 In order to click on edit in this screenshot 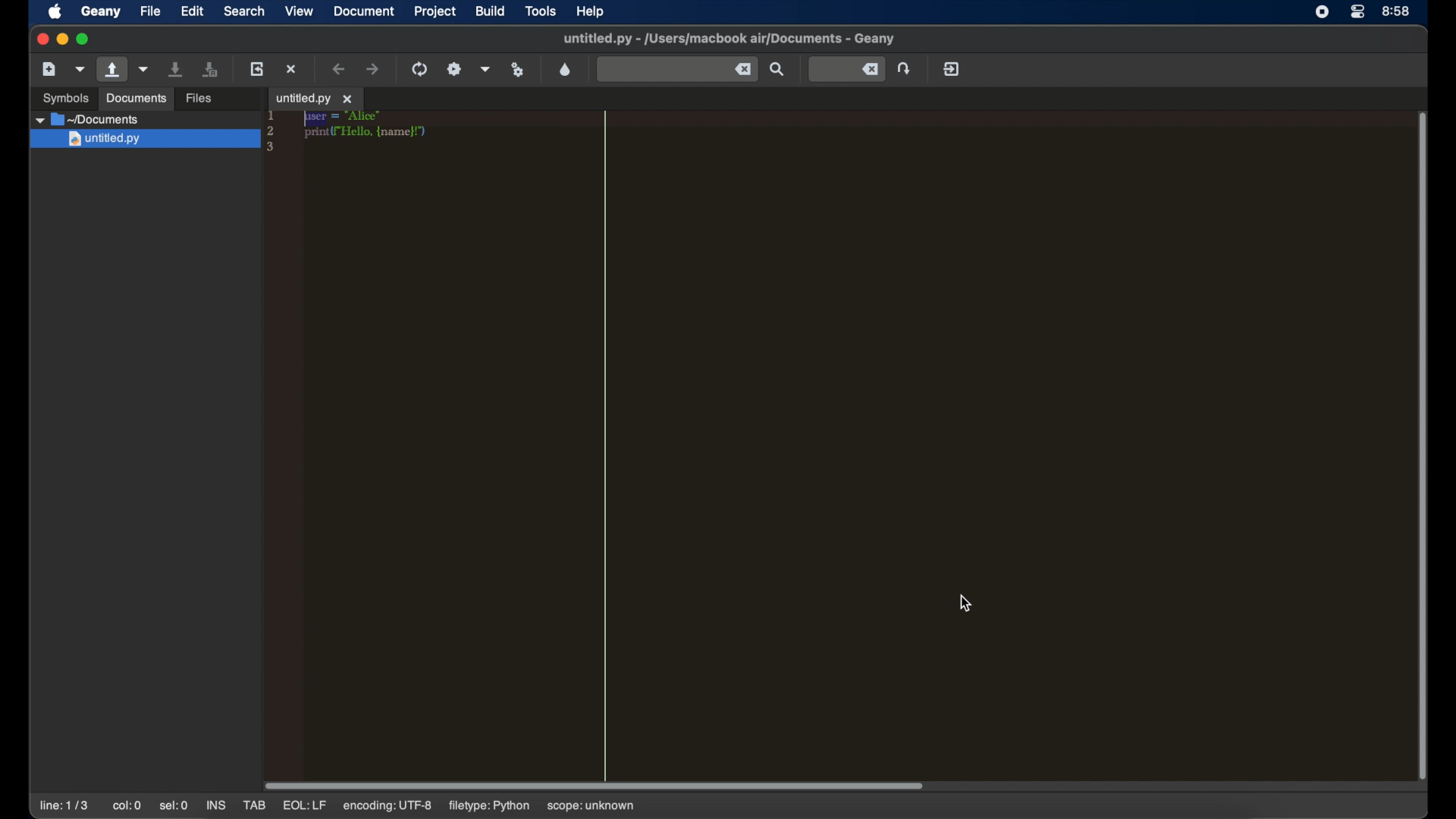, I will do `click(191, 12)`.